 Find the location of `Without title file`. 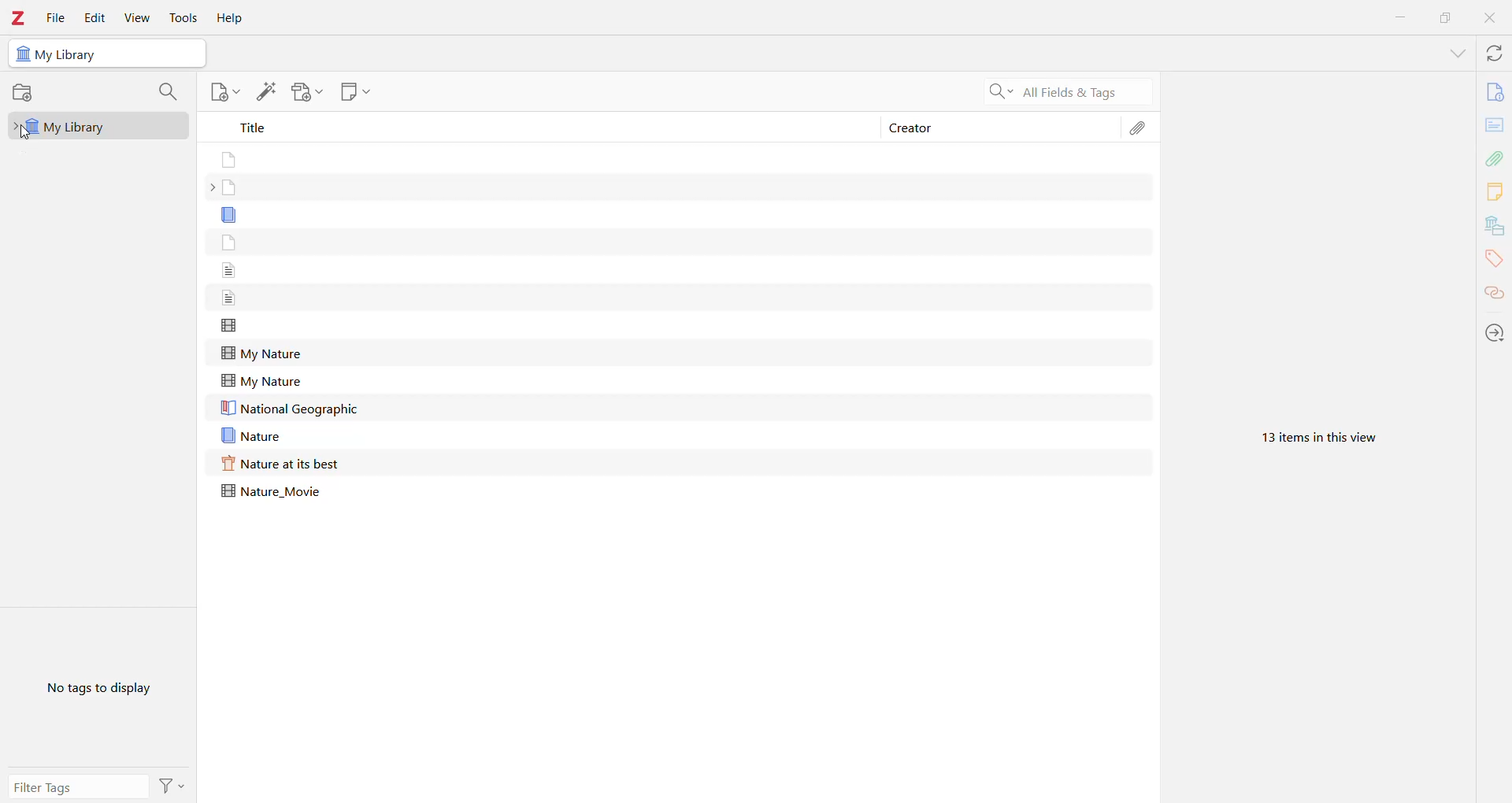

Without title file is located at coordinates (234, 242).